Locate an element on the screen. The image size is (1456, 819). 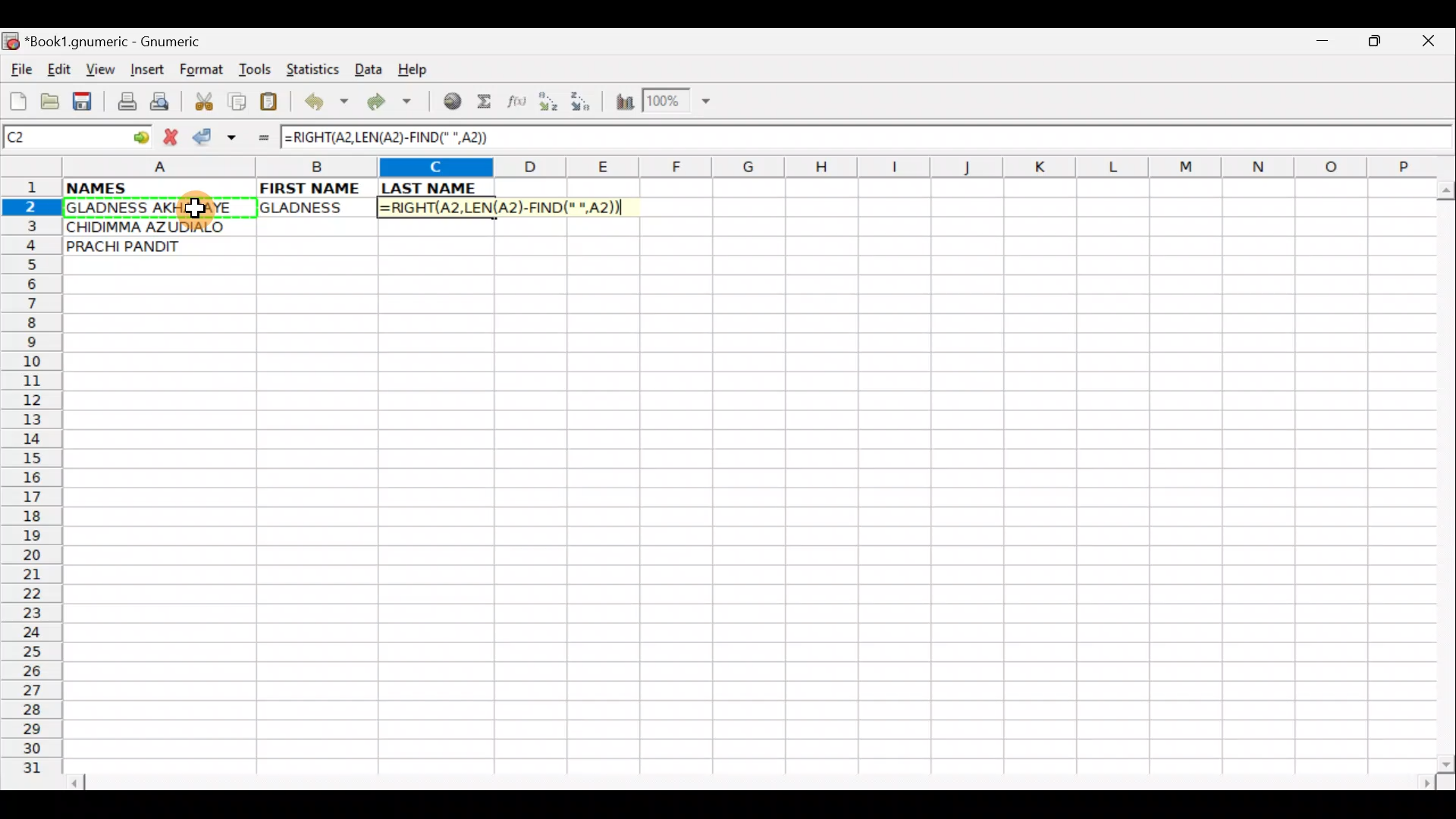
Copy selection is located at coordinates (238, 101).